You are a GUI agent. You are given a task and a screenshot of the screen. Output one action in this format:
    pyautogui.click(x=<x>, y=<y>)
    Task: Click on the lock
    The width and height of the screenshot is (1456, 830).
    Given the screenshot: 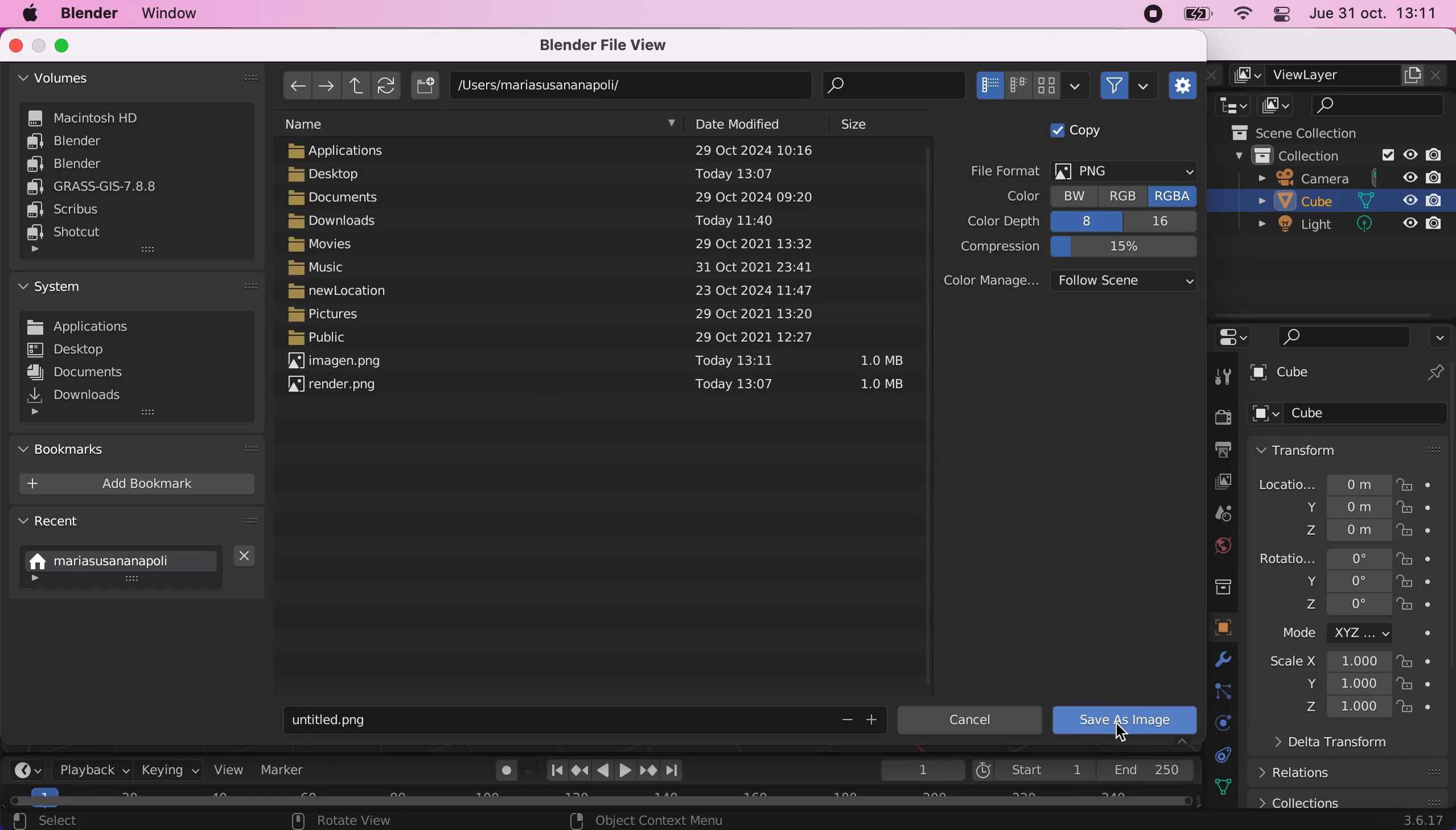 What is the action you would take?
    pyautogui.click(x=1417, y=663)
    